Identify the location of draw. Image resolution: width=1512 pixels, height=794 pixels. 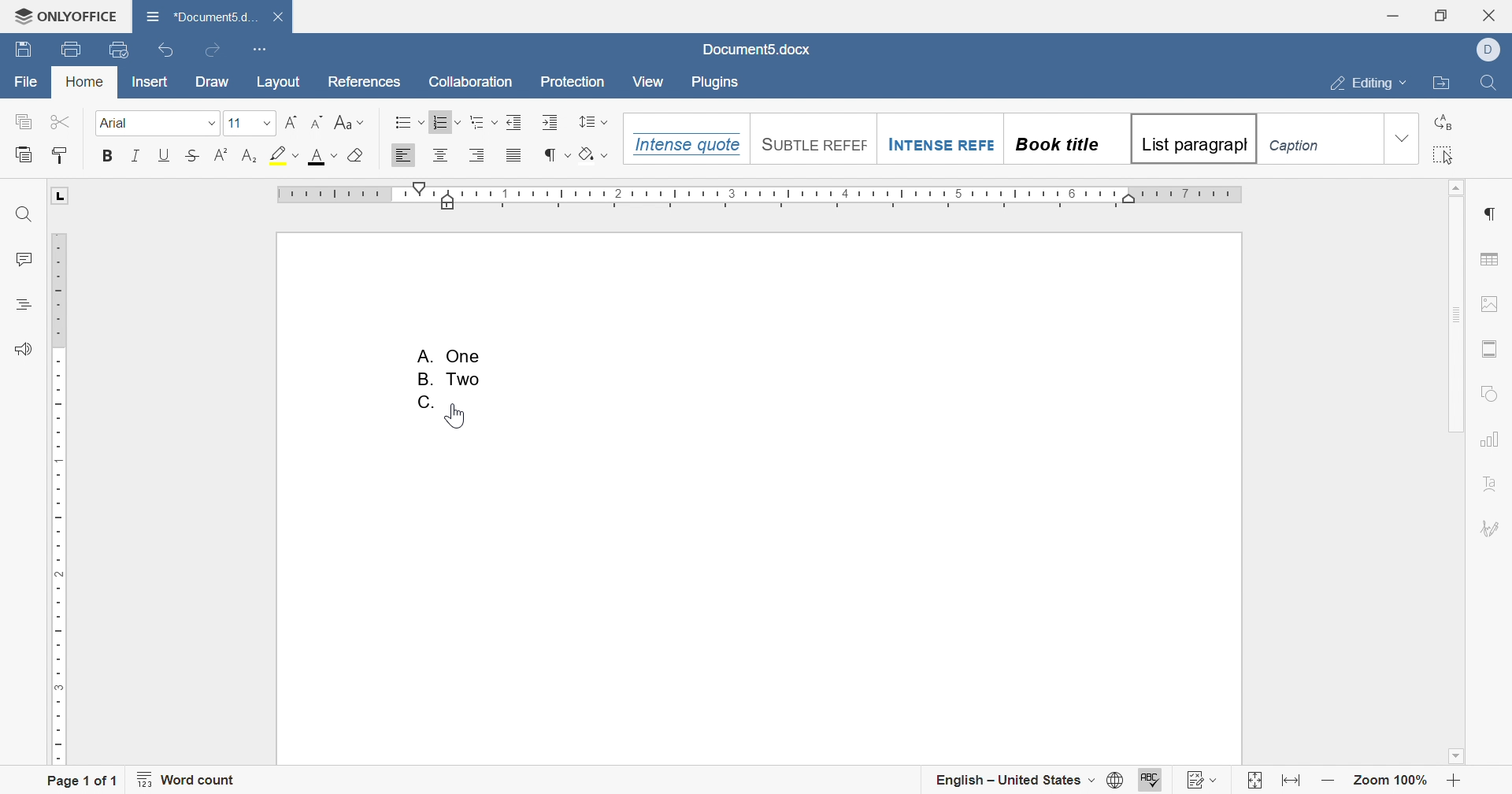
(213, 84).